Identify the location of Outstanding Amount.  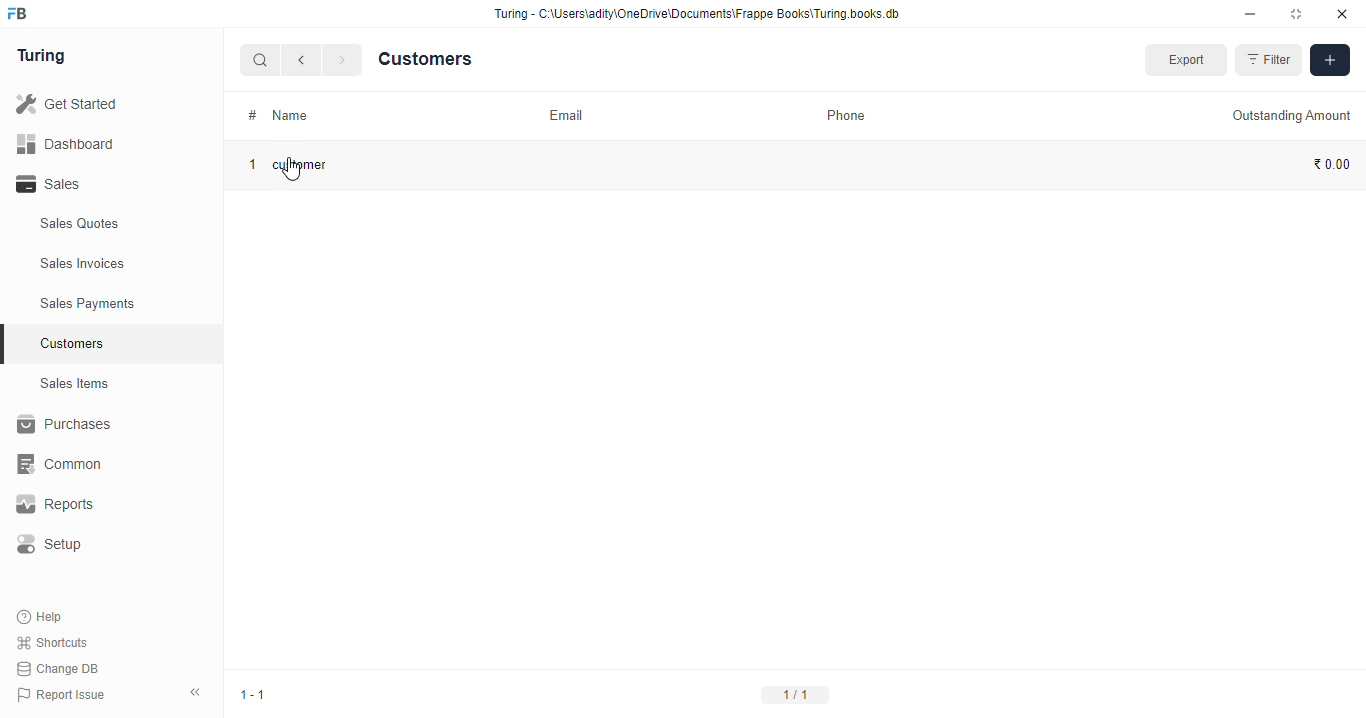
(1291, 111).